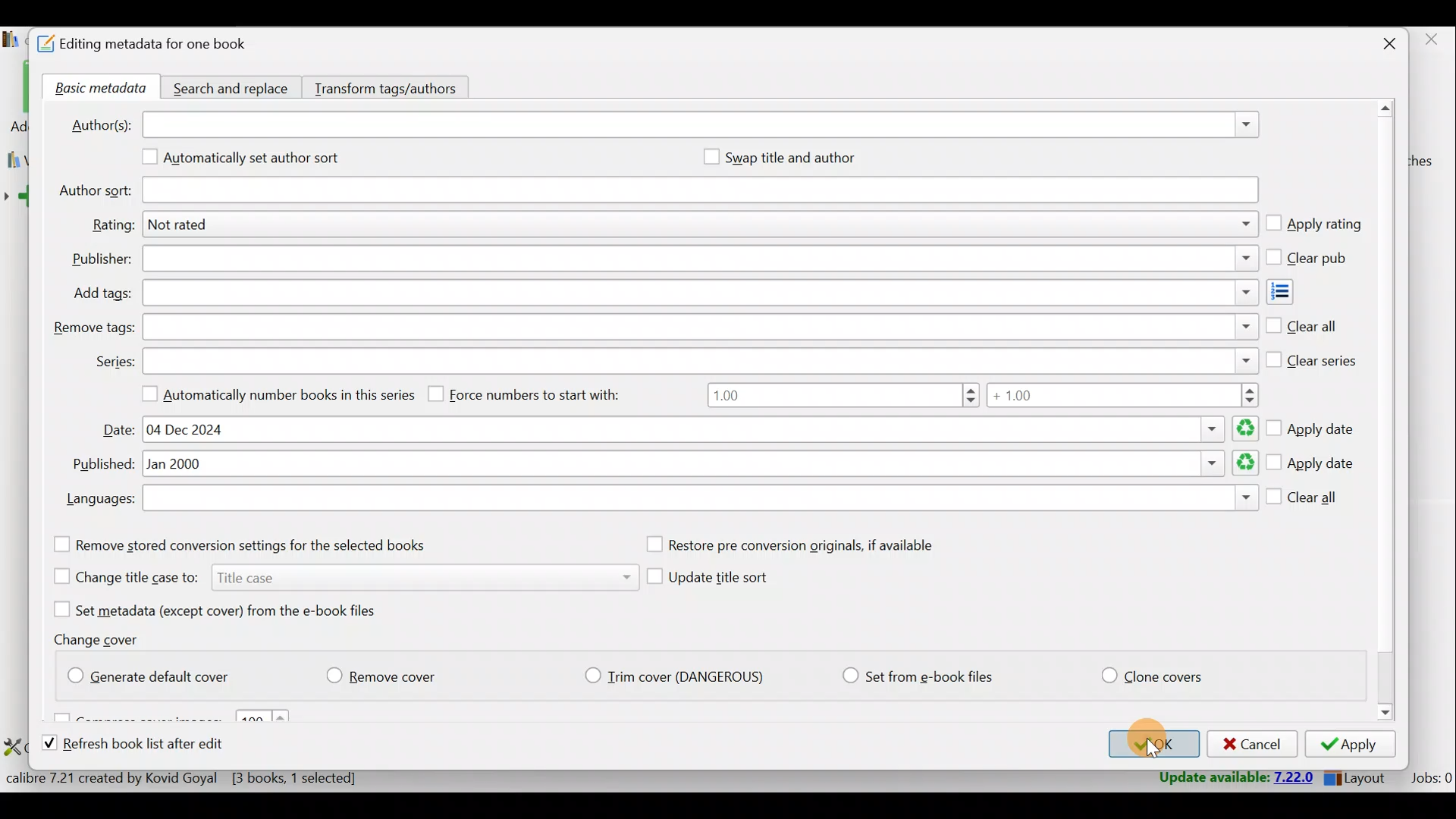 The image size is (1456, 819). I want to click on Change title case to, so click(339, 576).